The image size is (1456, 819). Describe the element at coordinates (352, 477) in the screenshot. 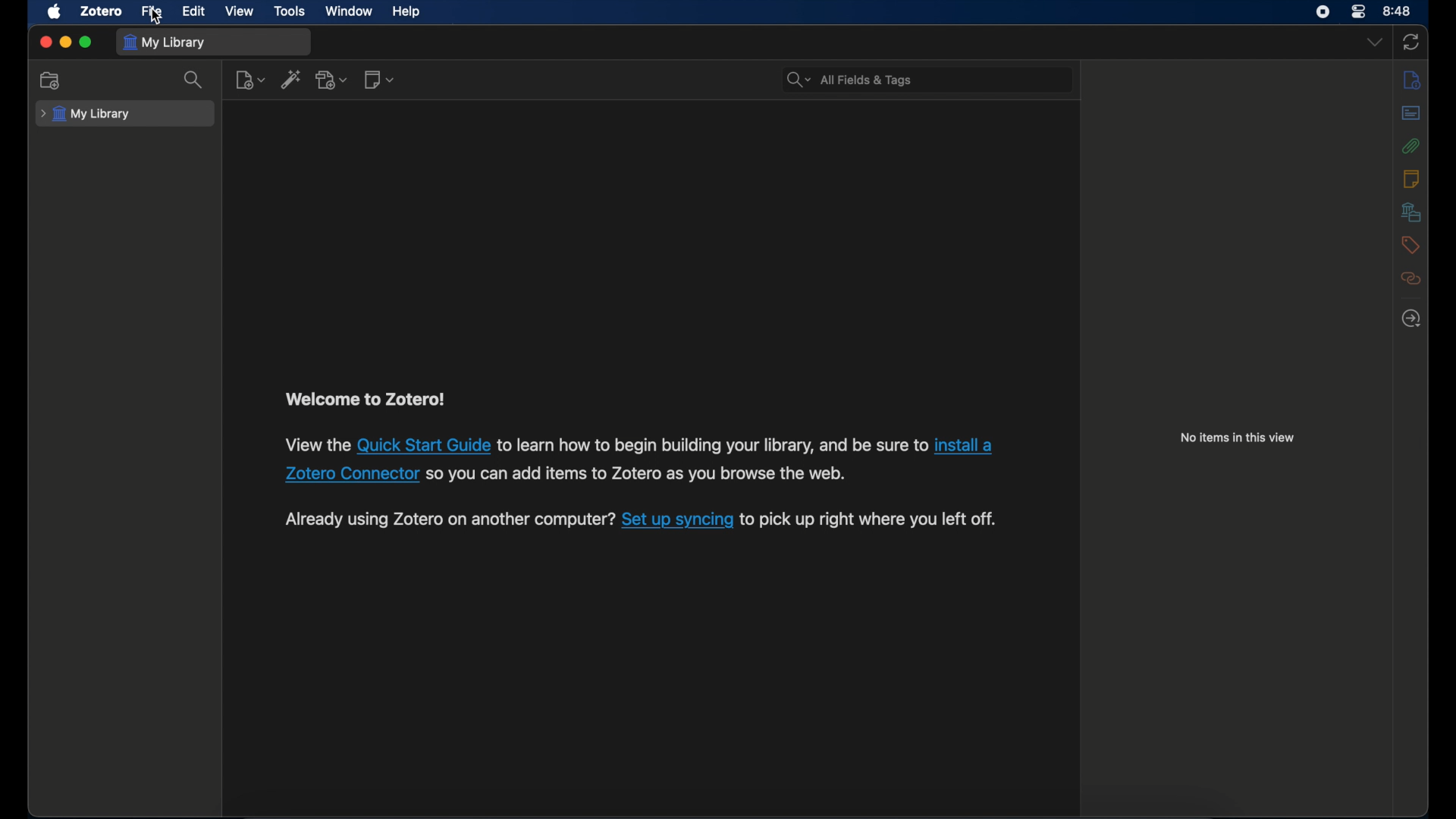

I see `Zotero connector link` at that location.